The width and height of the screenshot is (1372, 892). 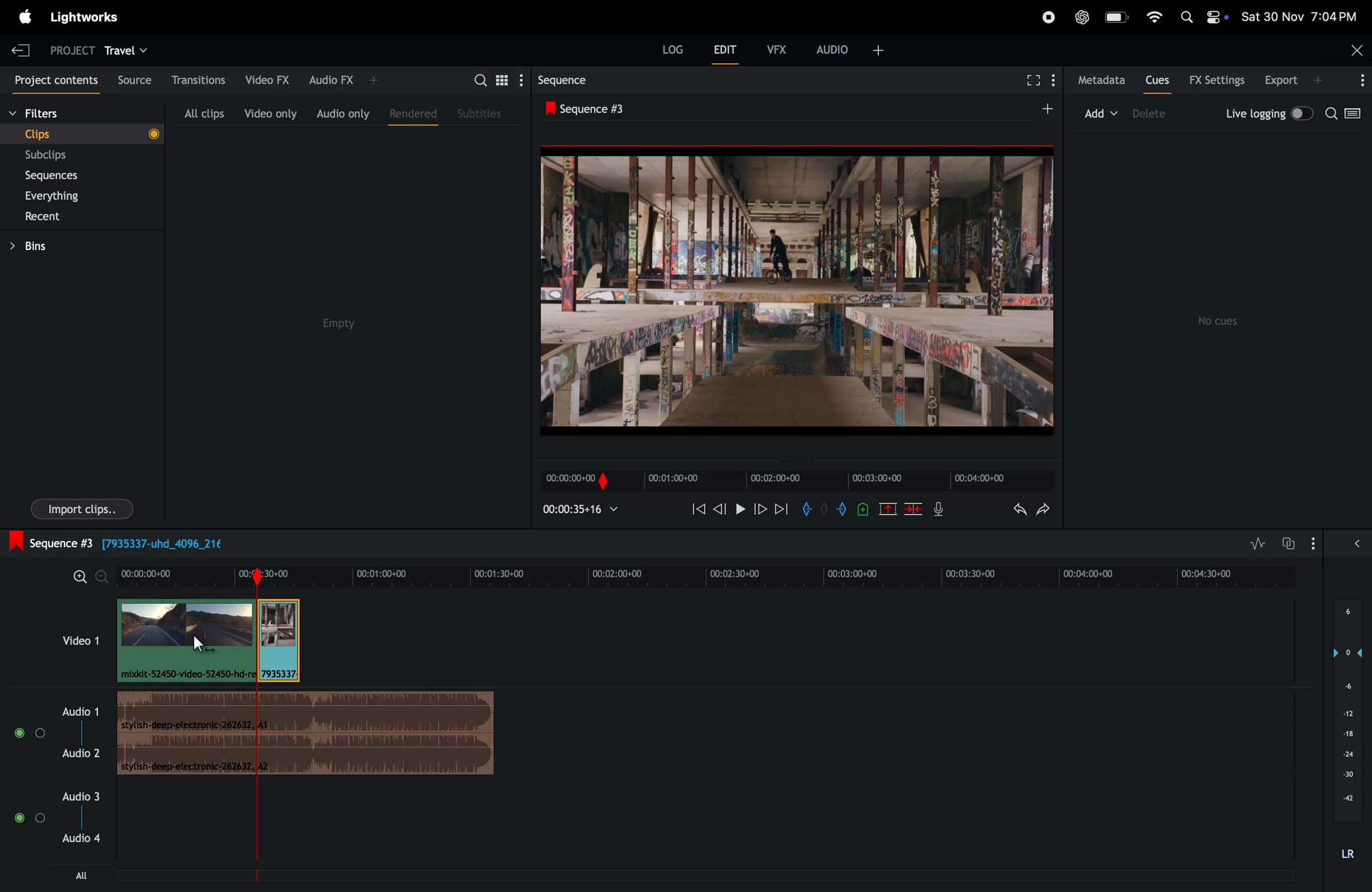 What do you see at coordinates (129, 49) in the screenshot?
I see `travel` at bounding box center [129, 49].